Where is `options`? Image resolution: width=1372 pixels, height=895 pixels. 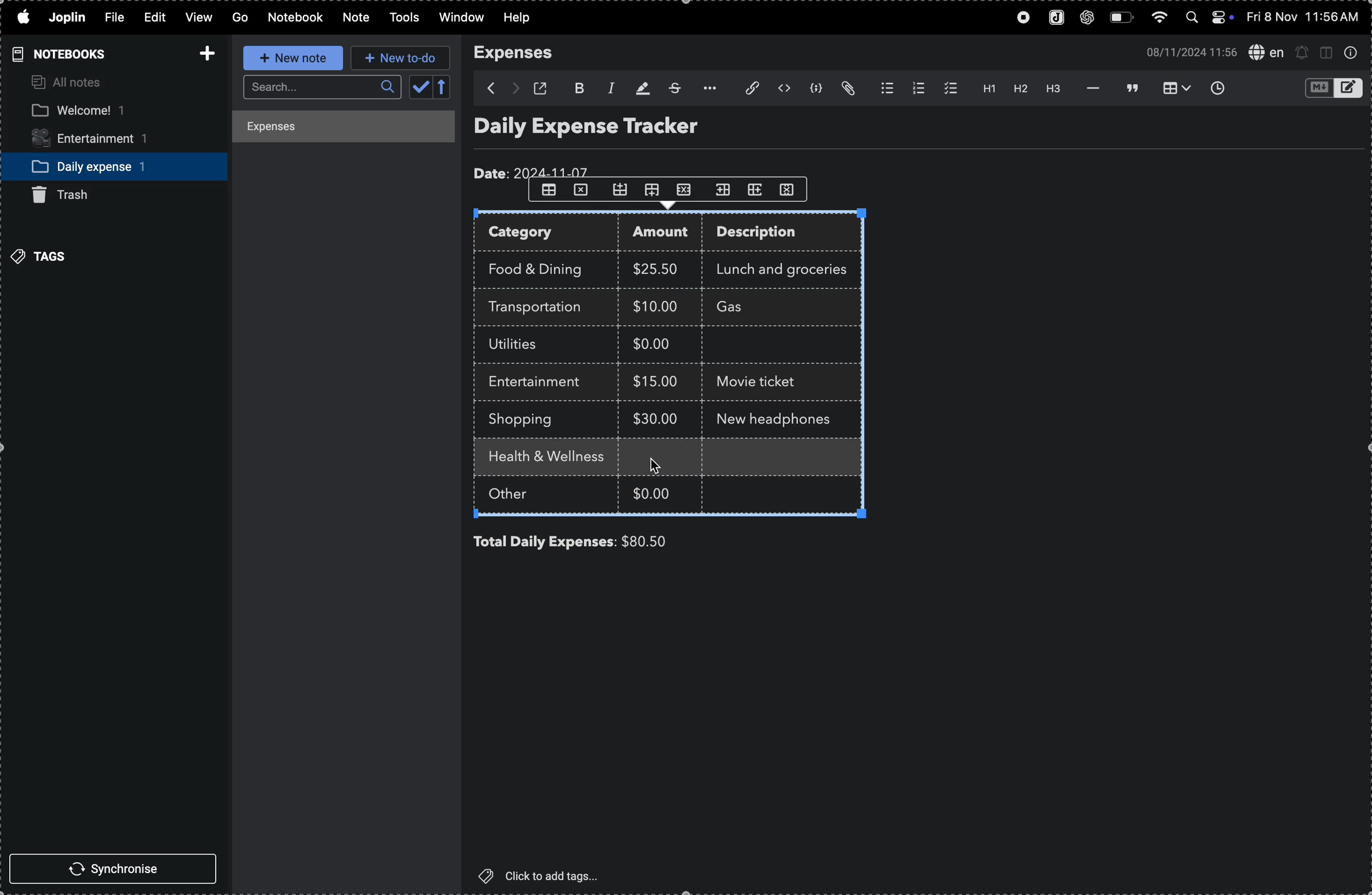
options is located at coordinates (706, 88).